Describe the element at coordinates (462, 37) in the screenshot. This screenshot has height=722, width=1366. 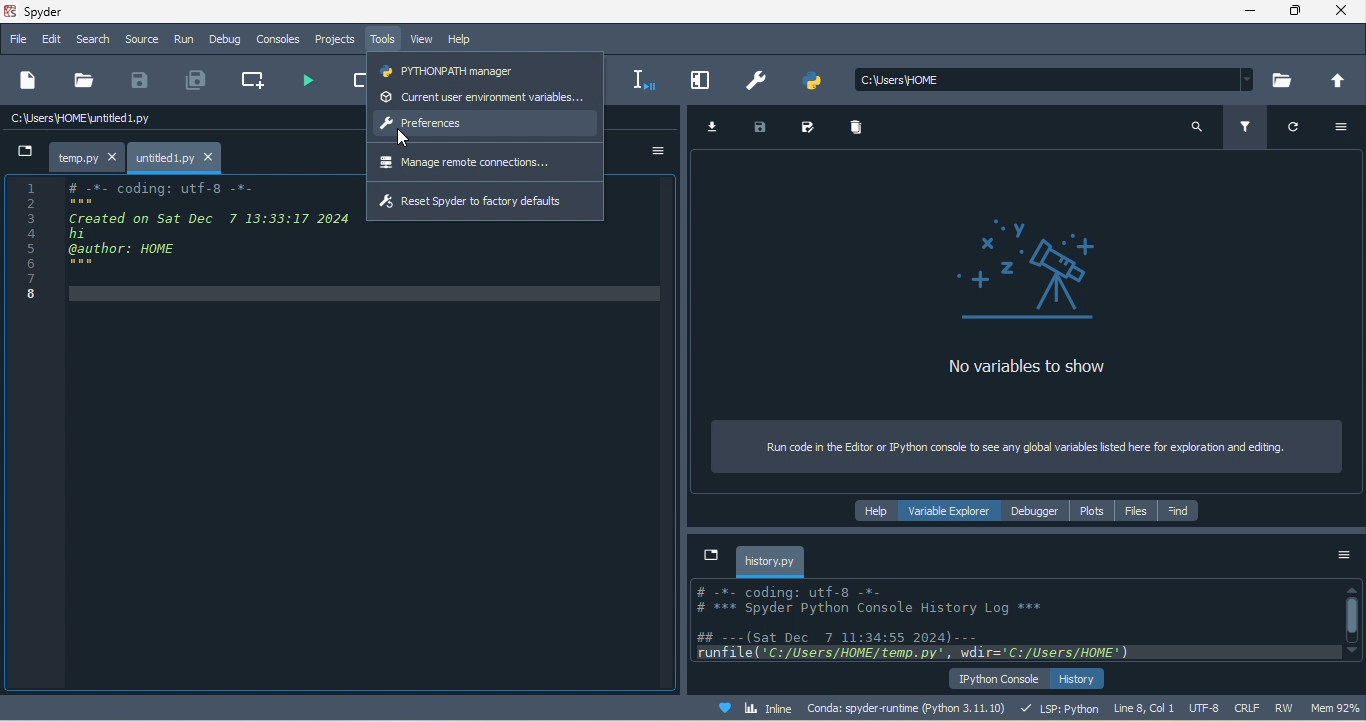
I see `help` at that location.